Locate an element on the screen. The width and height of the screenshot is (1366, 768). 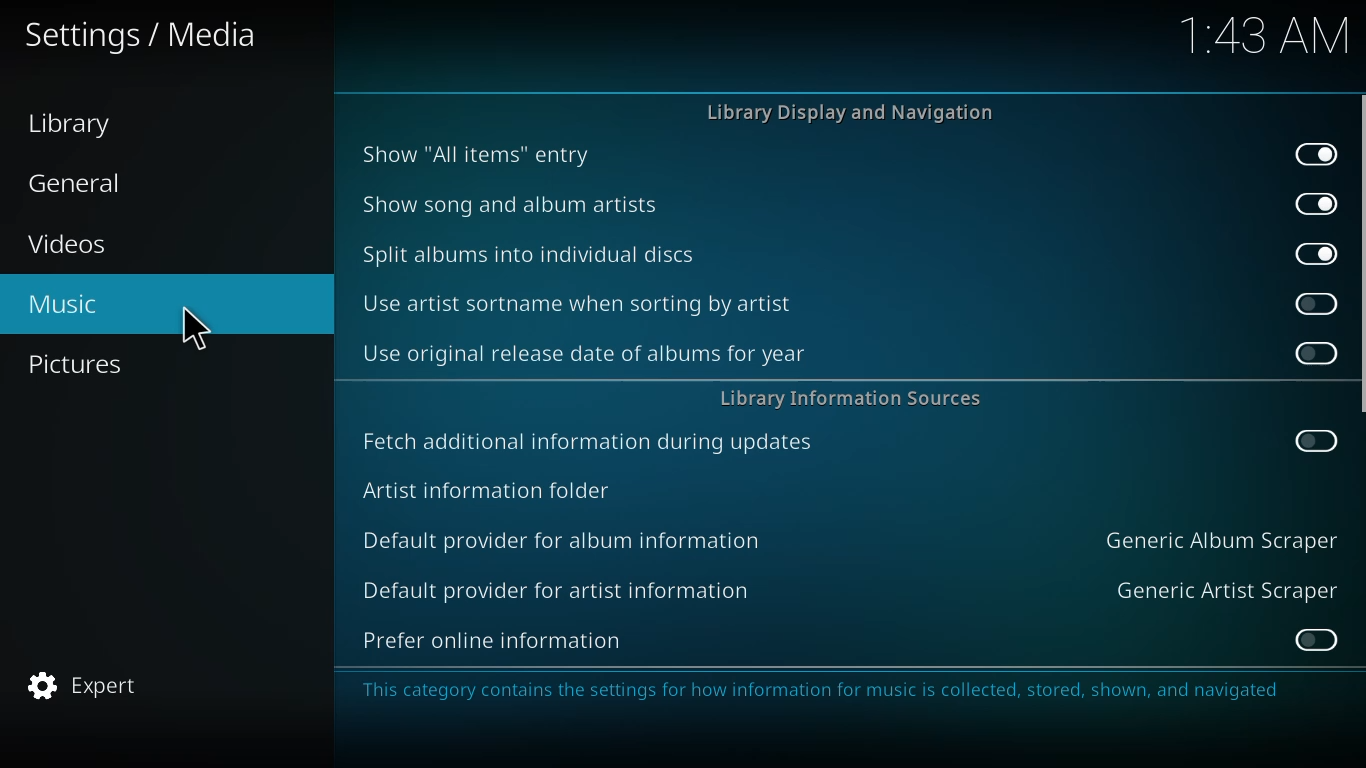
prefer online info is located at coordinates (493, 640).